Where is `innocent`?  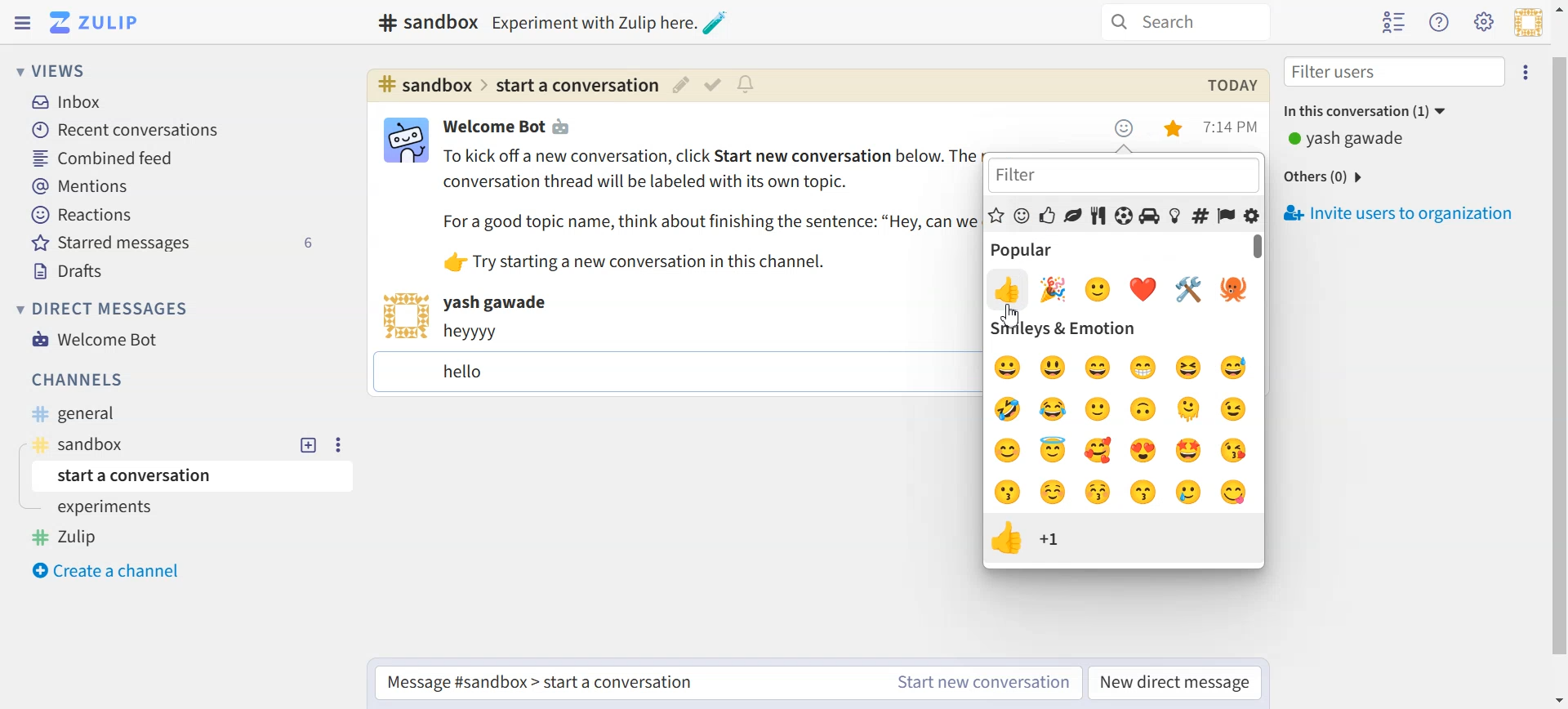 innocent is located at coordinates (1054, 451).